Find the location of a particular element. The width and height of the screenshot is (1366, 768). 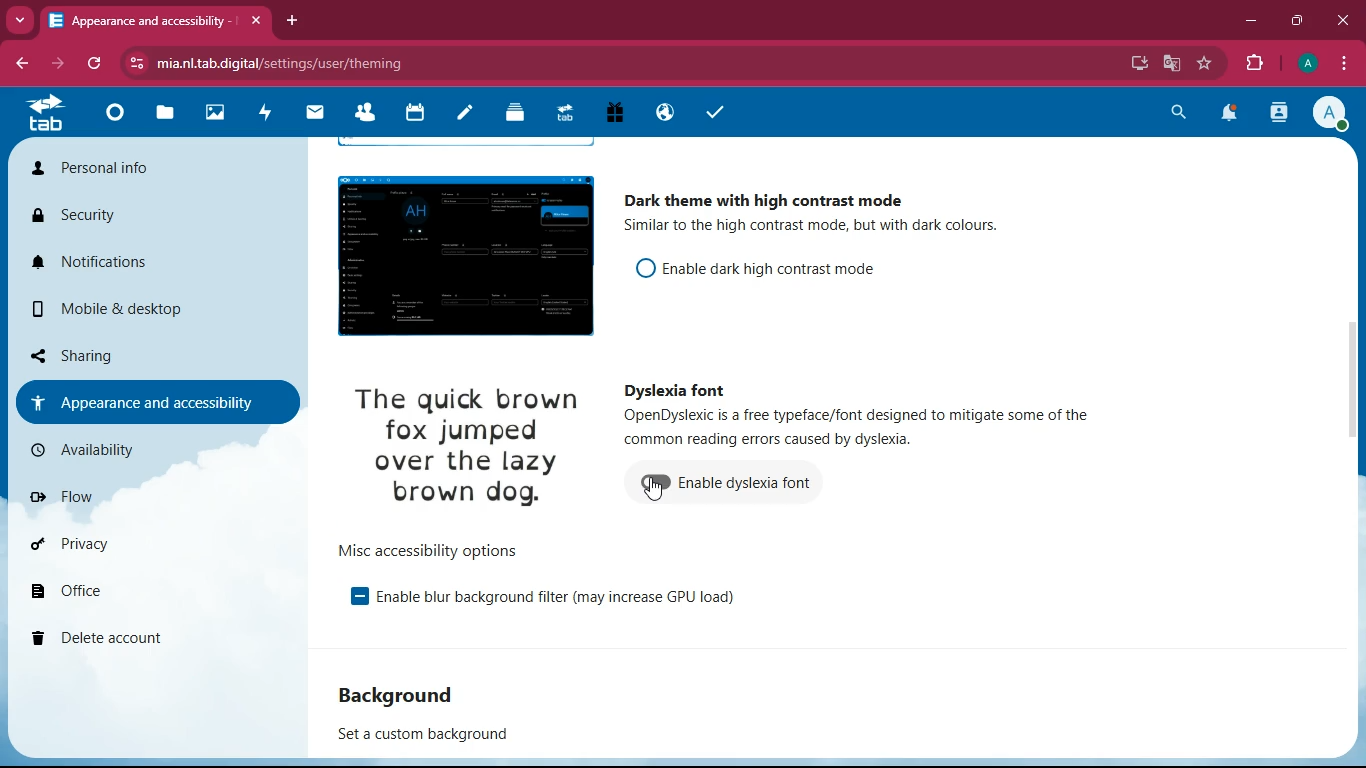

tab is located at coordinates (53, 112).